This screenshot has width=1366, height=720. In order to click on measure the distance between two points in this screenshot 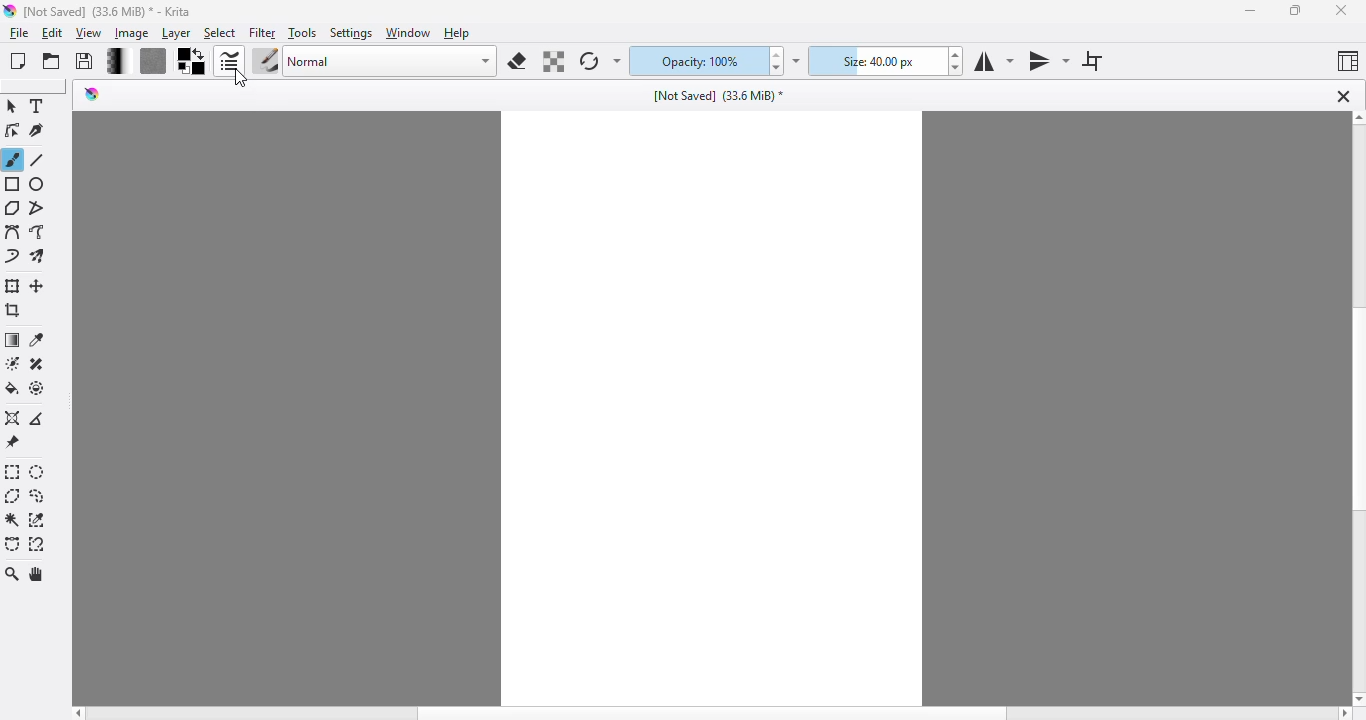, I will do `click(40, 417)`.